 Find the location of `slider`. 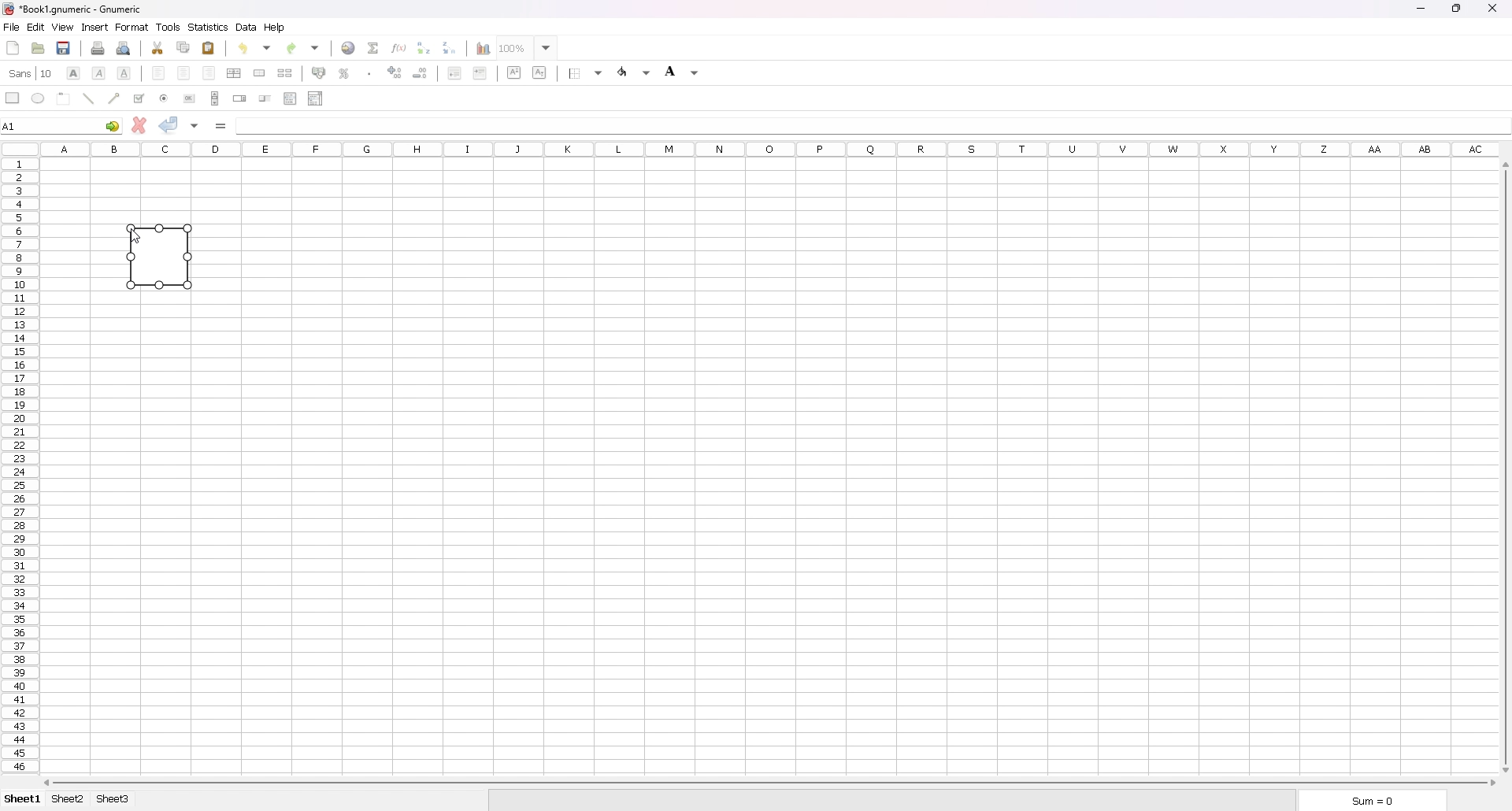

slider is located at coordinates (265, 99).